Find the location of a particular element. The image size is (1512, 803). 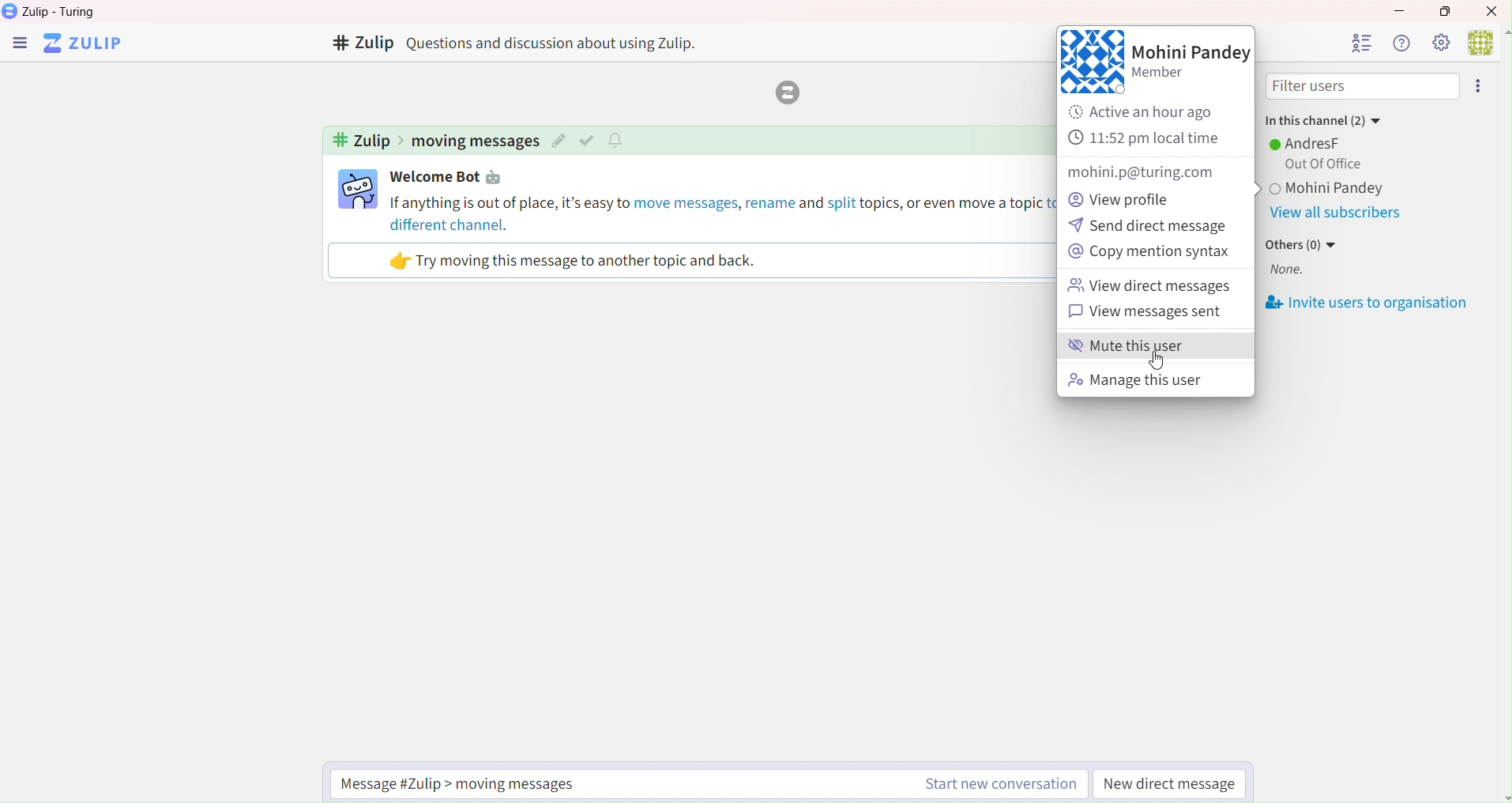

copy mentions syntax is located at coordinates (1149, 254).